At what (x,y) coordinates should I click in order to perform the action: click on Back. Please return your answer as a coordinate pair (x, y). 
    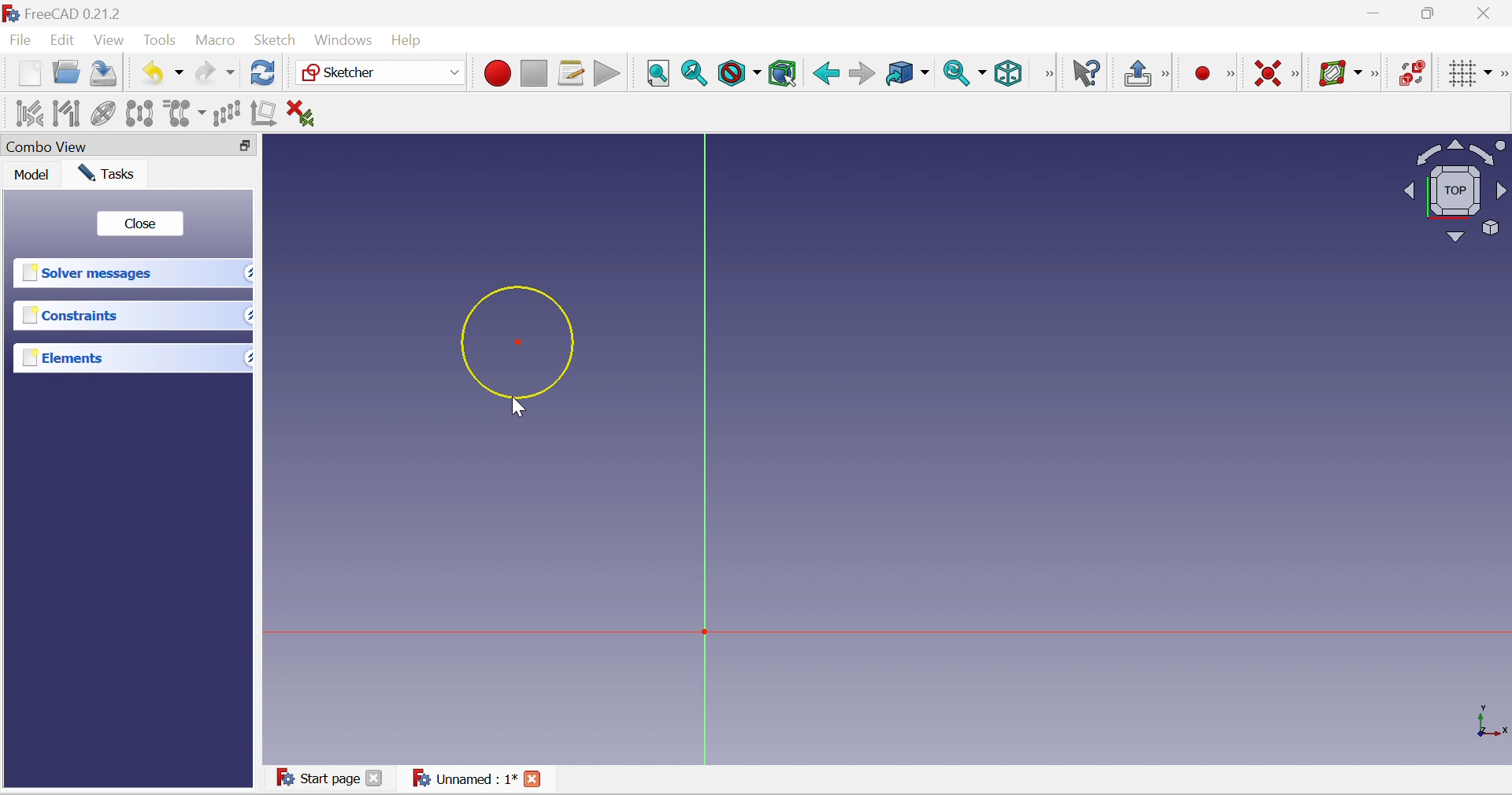
    Looking at the image, I should click on (825, 74).